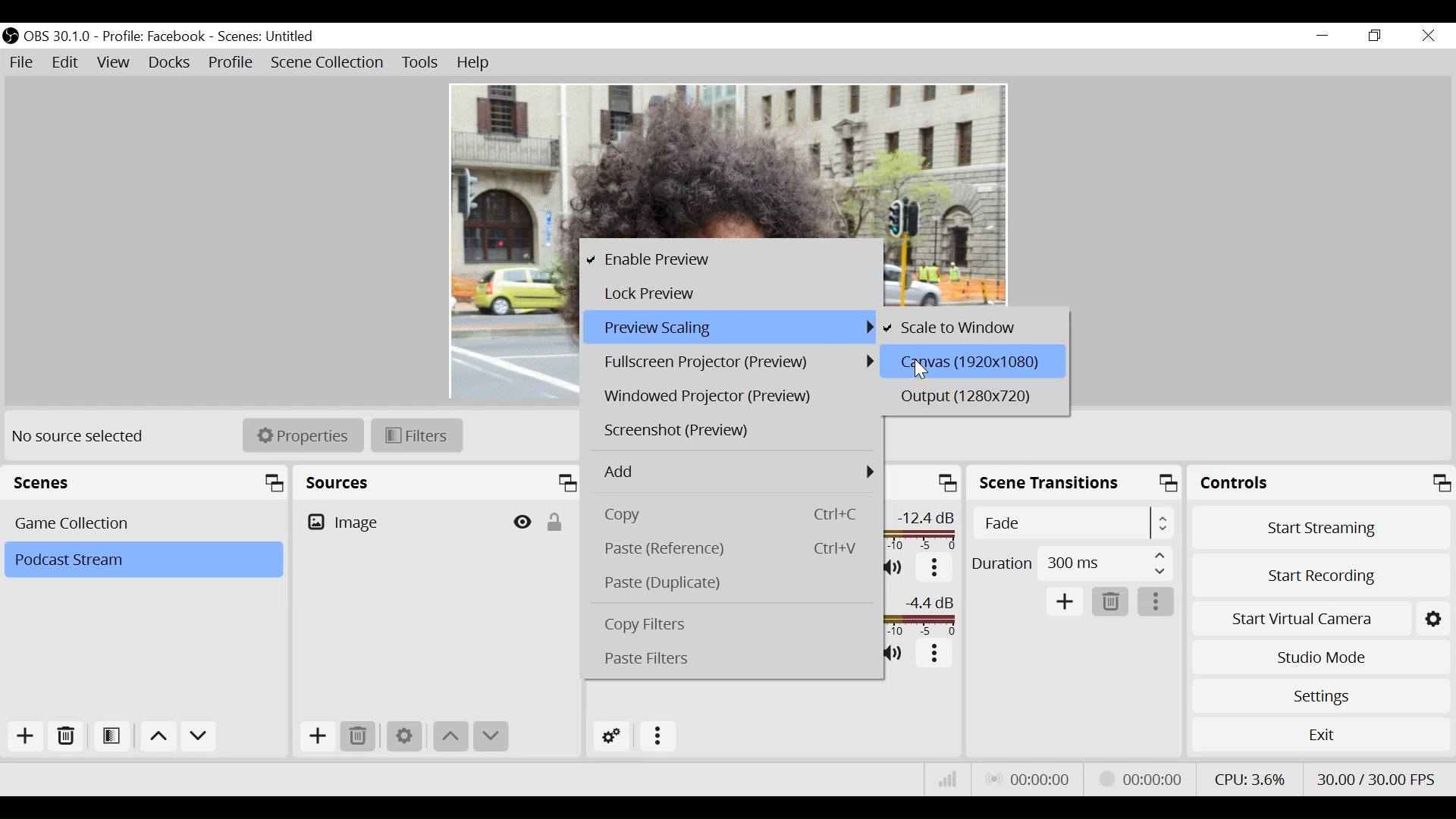 This screenshot has width=1456, height=819. Describe the element at coordinates (1322, 657) in the screenshot. I see `Studio Mode` at that location.